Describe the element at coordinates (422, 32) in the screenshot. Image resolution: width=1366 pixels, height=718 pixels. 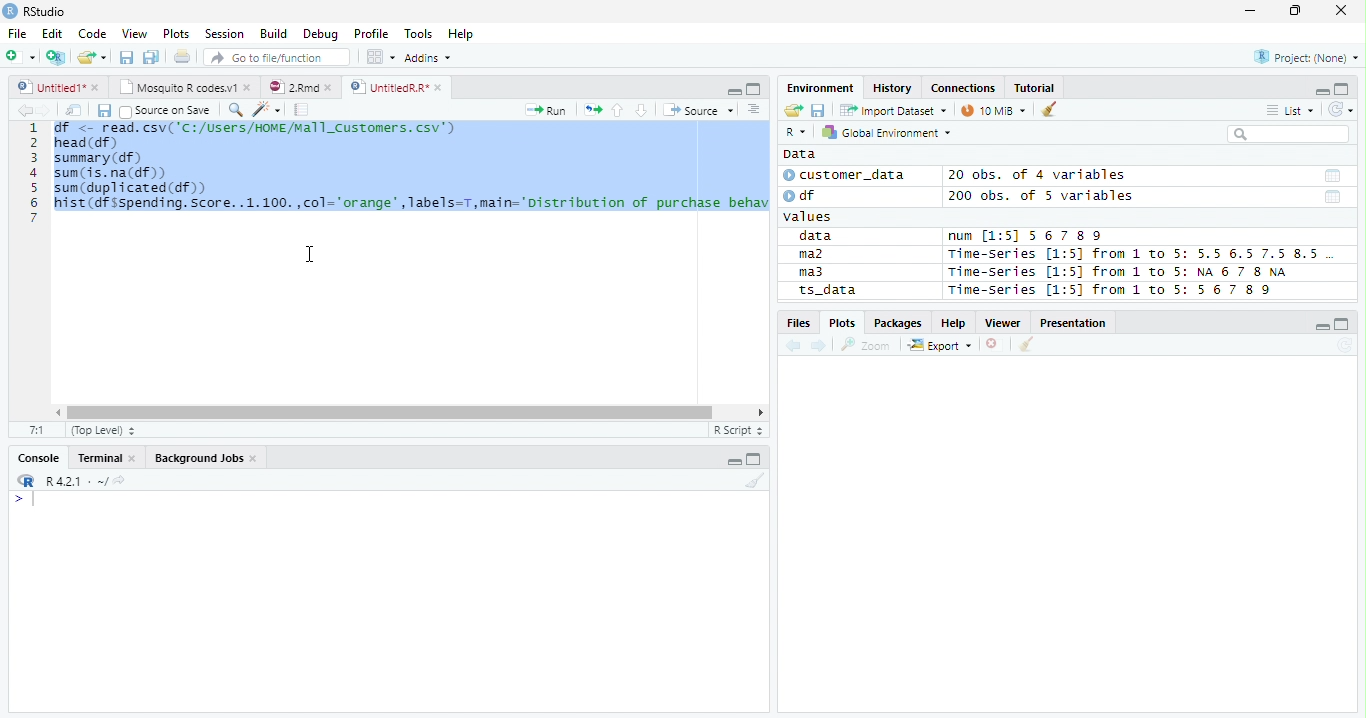
I see `Tools` at that location.